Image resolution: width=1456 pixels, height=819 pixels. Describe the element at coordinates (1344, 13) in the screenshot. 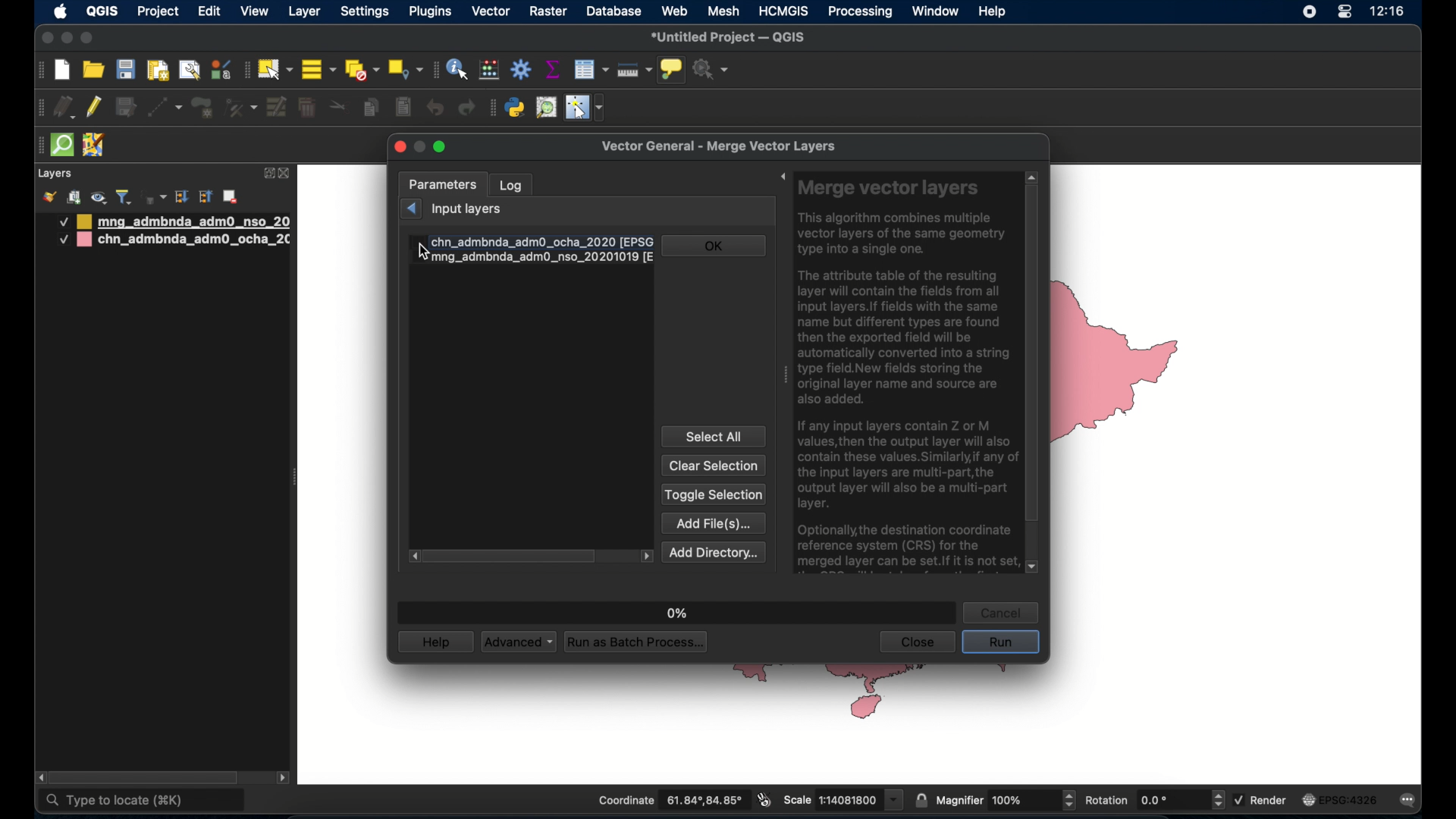

I see `control center` at that location.